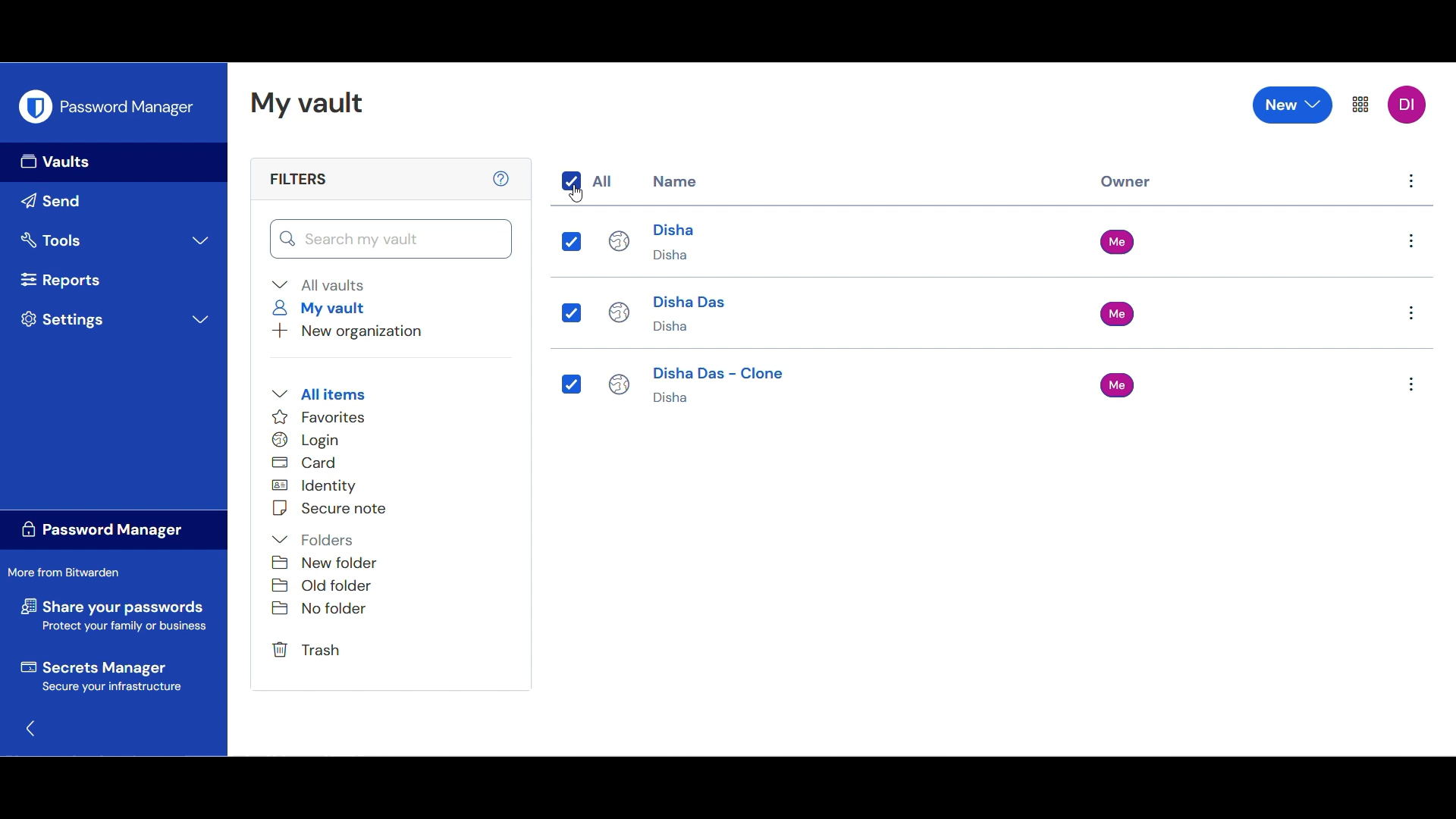  What do you see at coordinates (570, 384) in the screenshot?
I see `Indicates toggle on/off` at bounding box center [570, 384].